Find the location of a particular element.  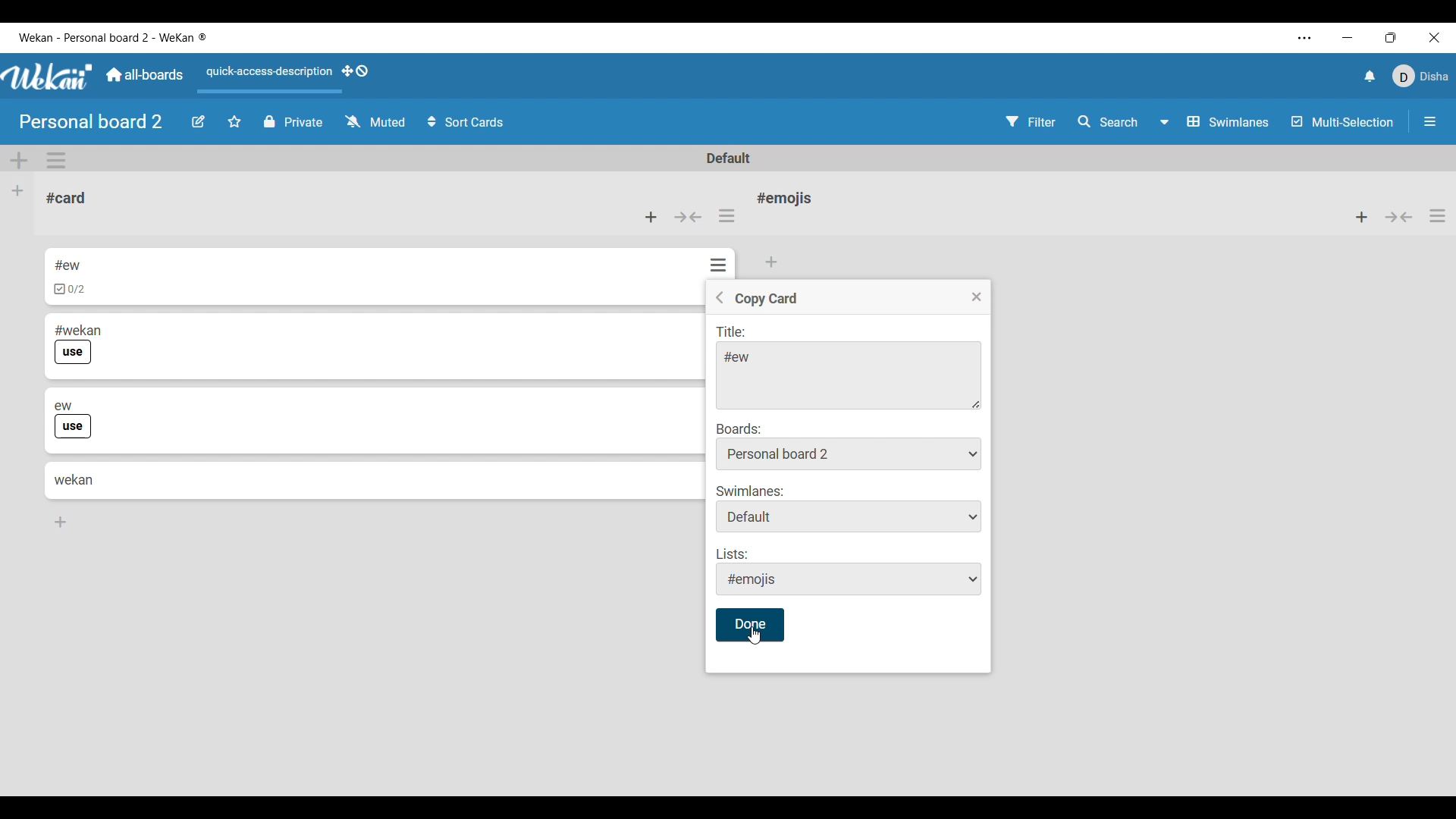

Sort card options is located at coordinates (466, 122).